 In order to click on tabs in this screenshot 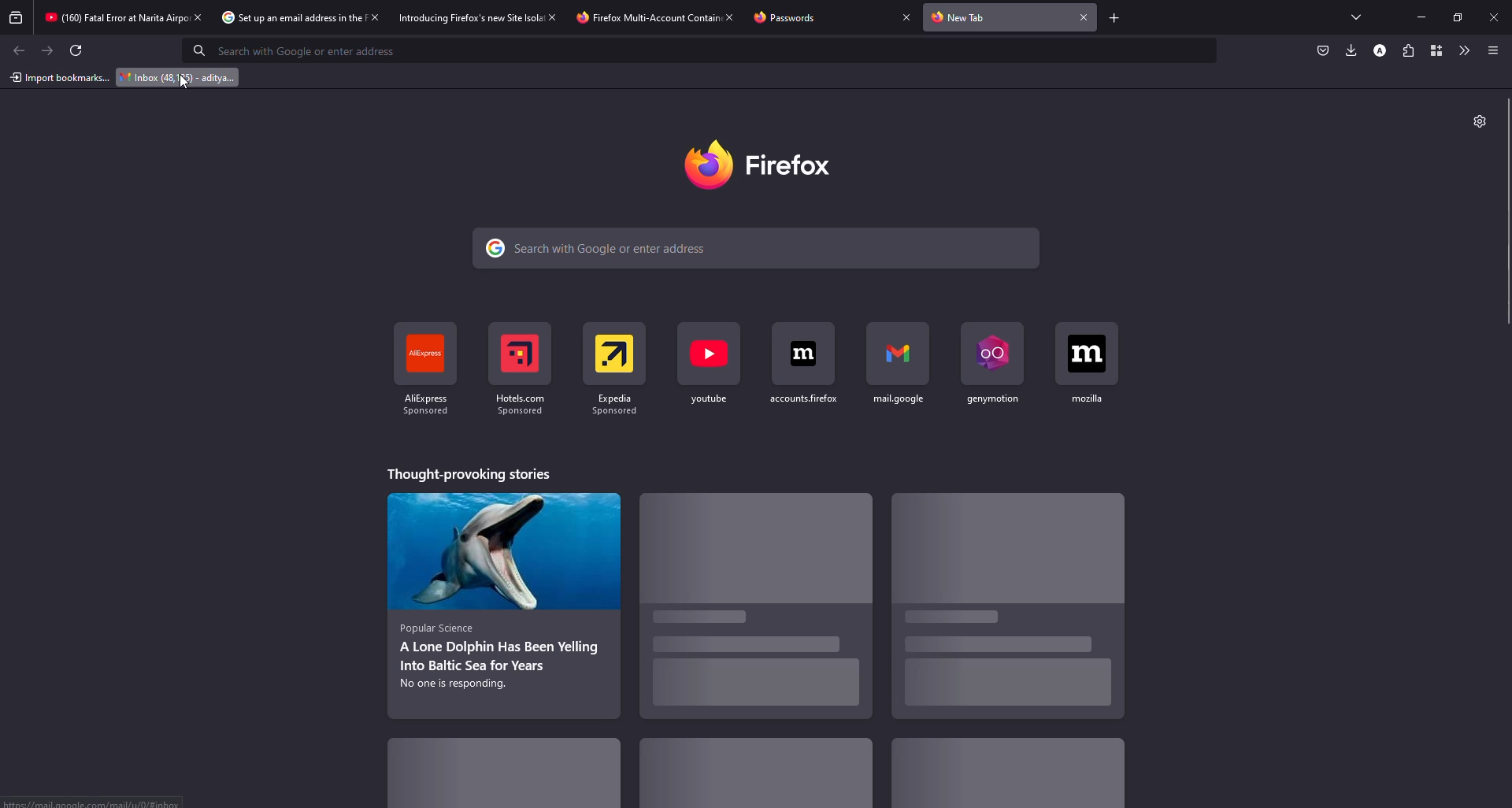, I will do `click(1356, 16)`.